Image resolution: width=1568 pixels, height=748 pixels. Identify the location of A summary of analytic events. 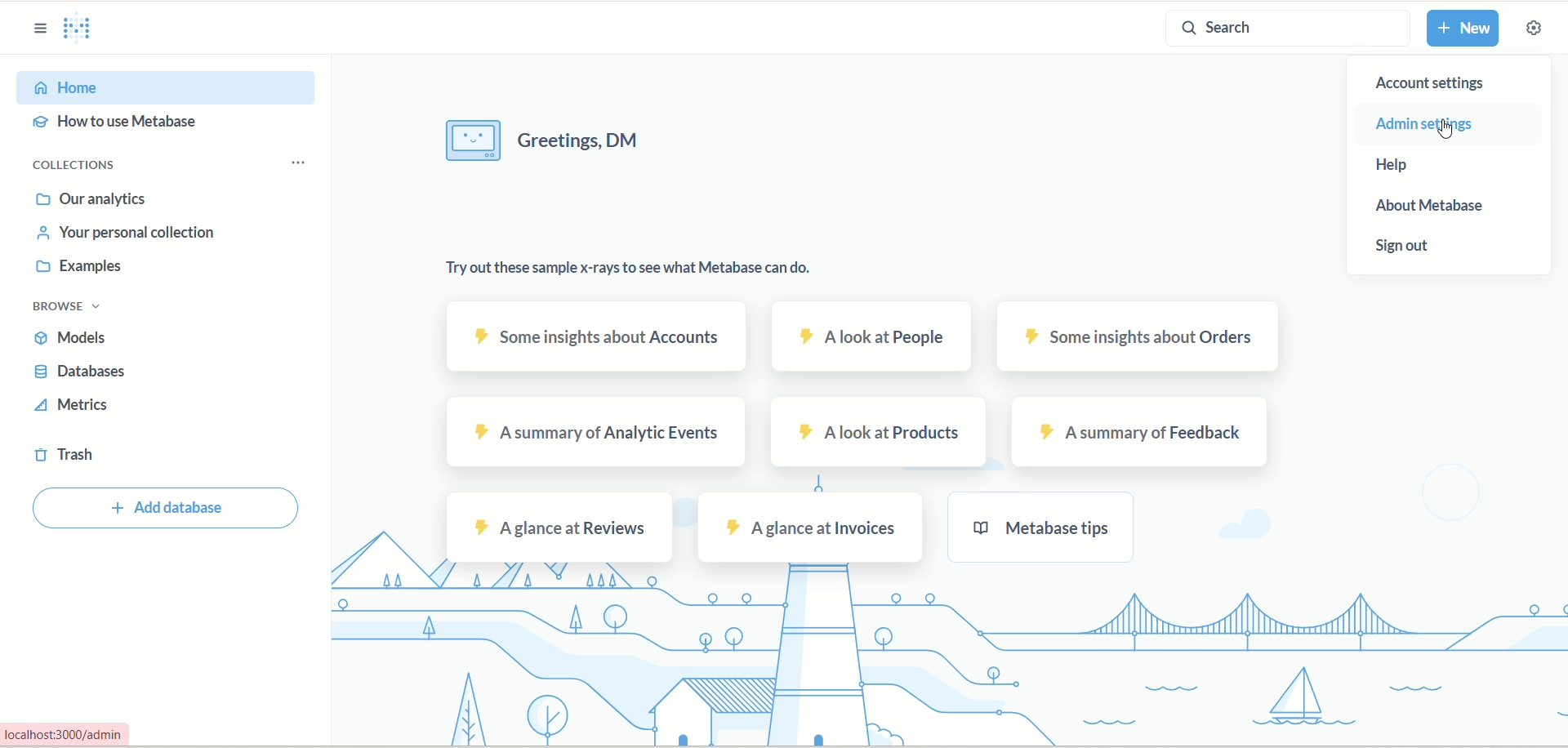
(599, 434).